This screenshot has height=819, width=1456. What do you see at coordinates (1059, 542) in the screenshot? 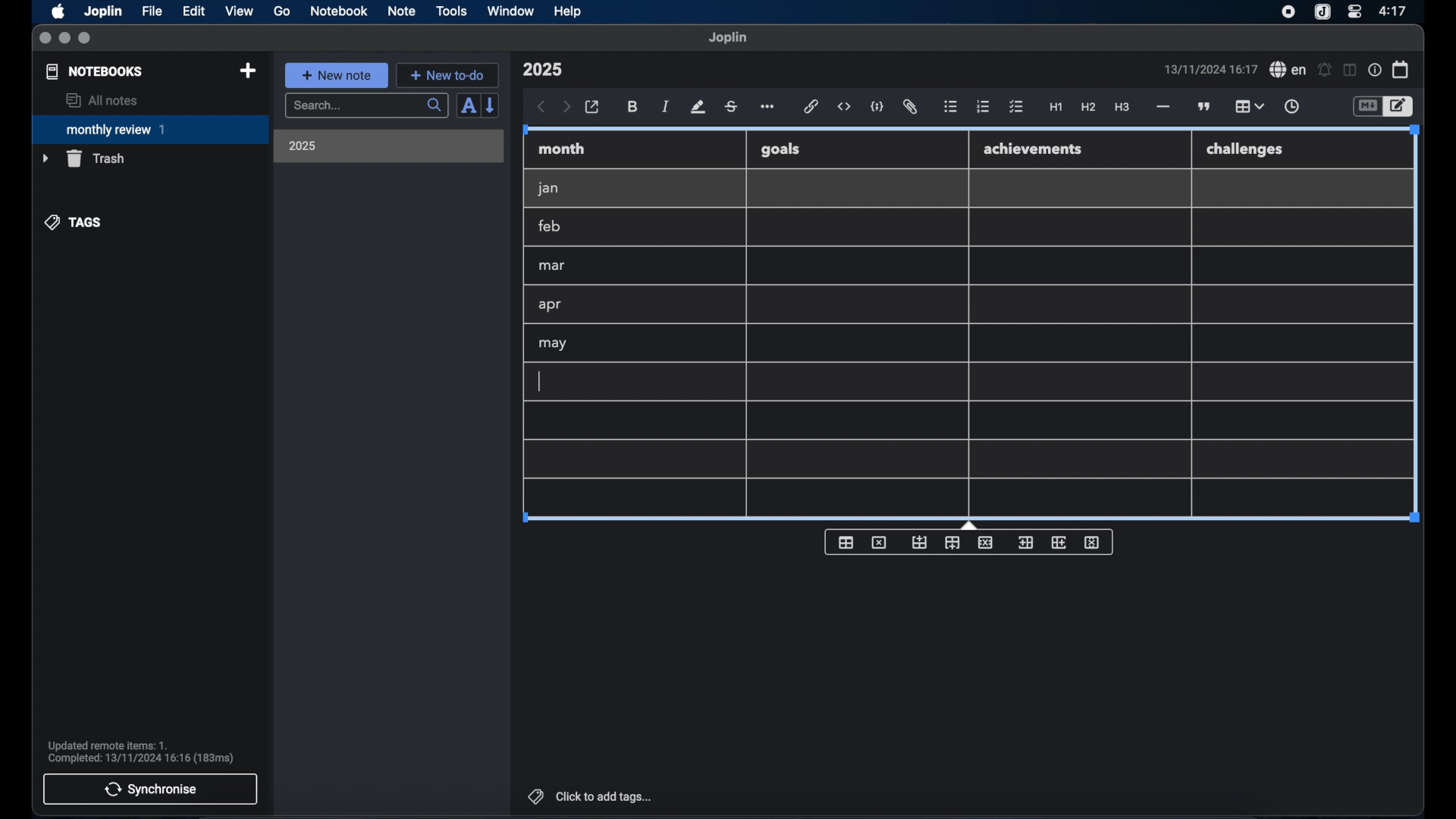
I see `insert column after` at bounding box center [1059, 542].